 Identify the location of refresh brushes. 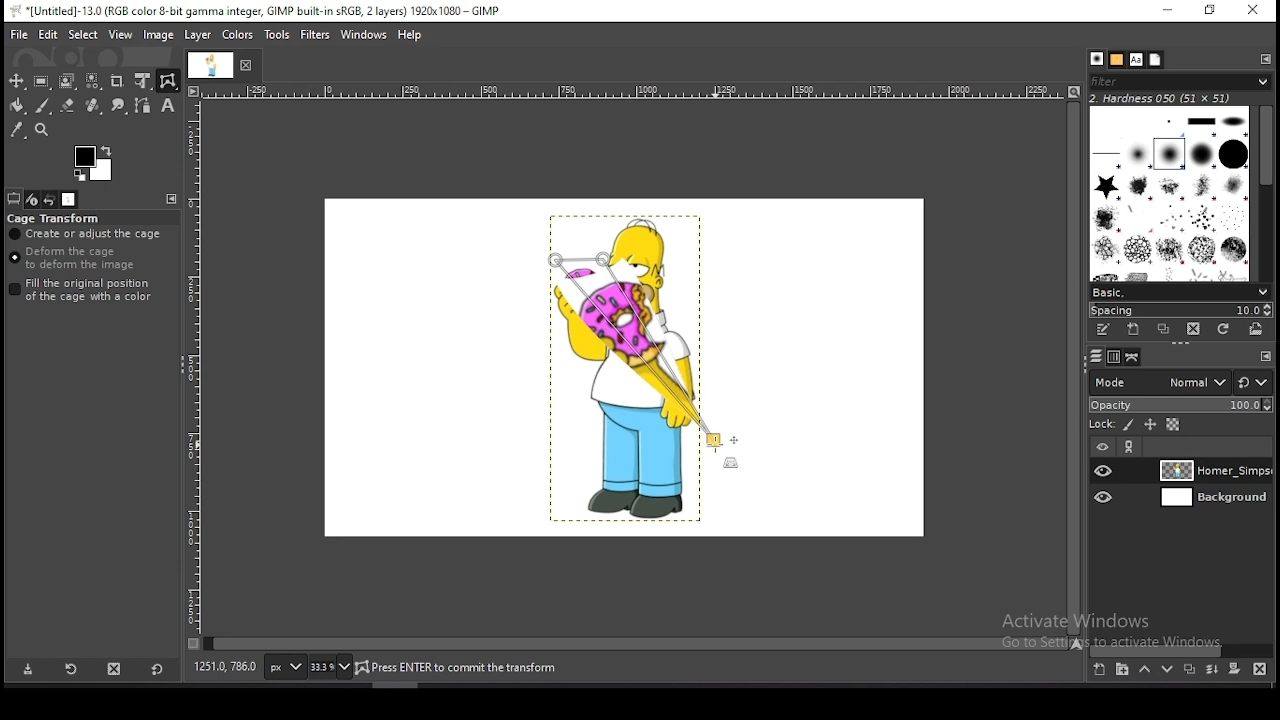
(1224, 329).